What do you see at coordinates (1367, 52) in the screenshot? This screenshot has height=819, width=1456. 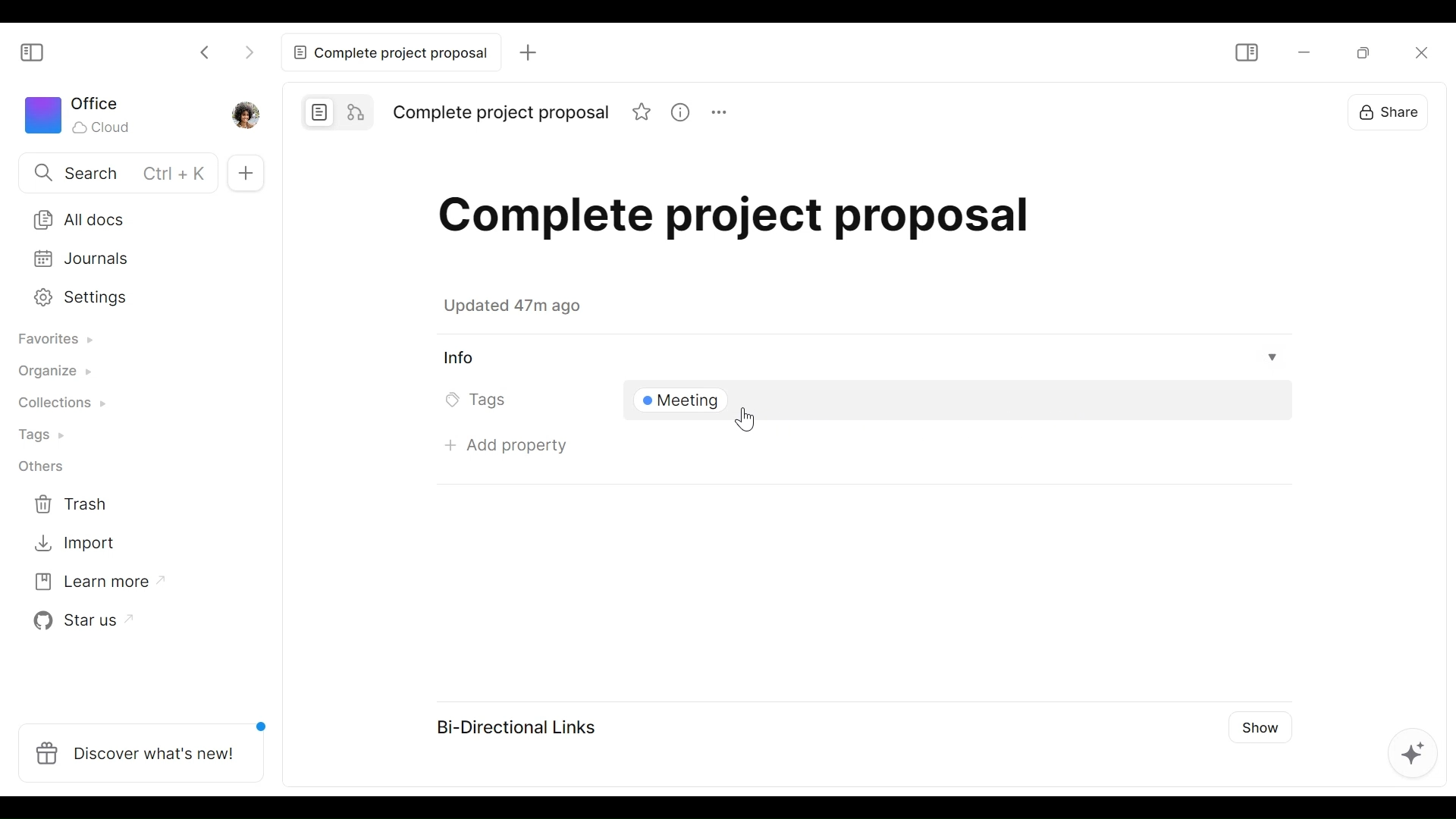 I see `Restore` at bounding box center [1367, 52].